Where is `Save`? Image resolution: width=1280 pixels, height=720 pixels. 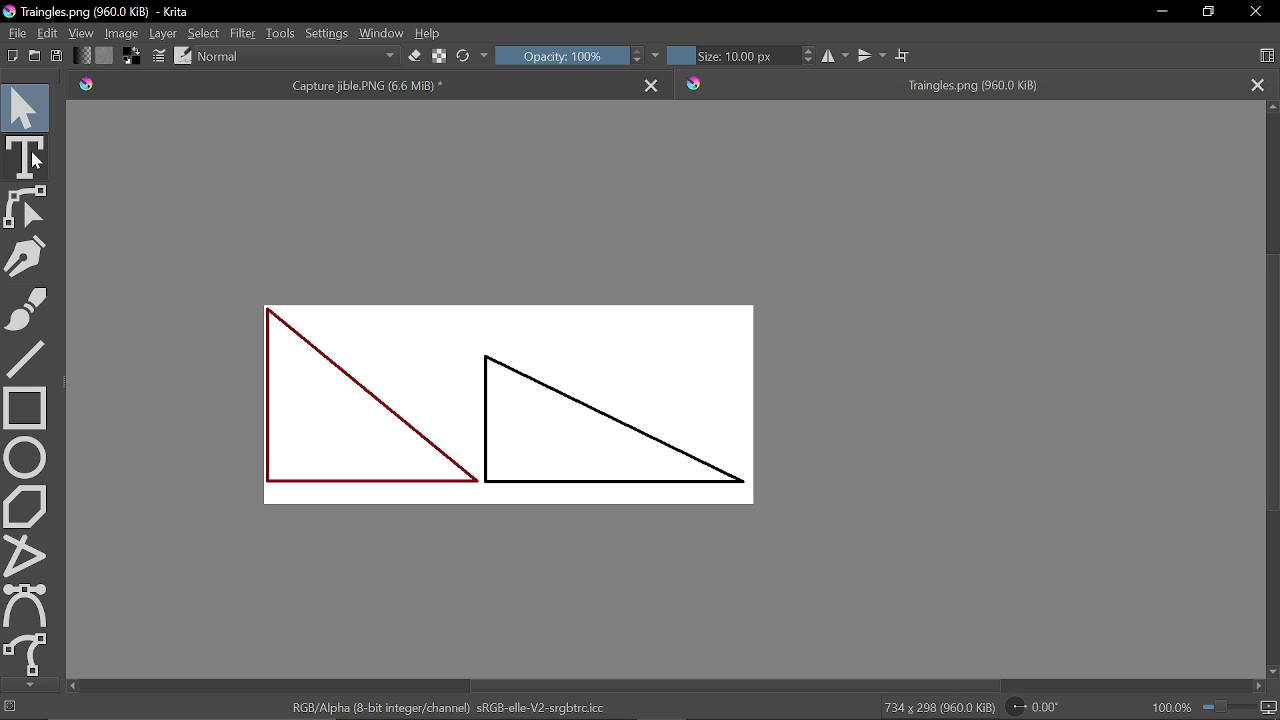
Save is located at coordinates (57, 57).